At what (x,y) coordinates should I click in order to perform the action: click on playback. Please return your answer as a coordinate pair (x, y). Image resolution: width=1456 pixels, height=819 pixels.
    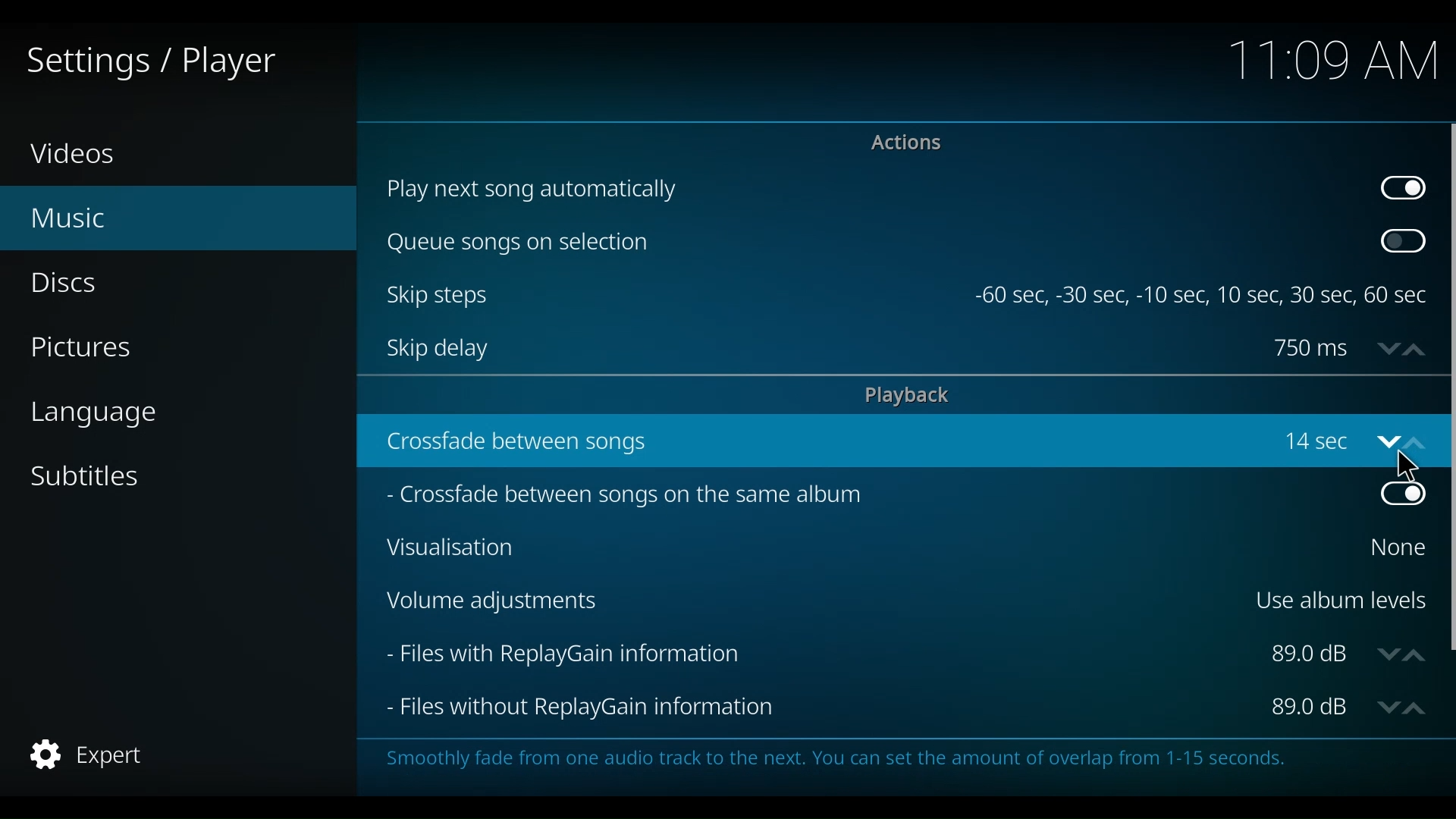
    Looking at the image, I should click on (913, 396).